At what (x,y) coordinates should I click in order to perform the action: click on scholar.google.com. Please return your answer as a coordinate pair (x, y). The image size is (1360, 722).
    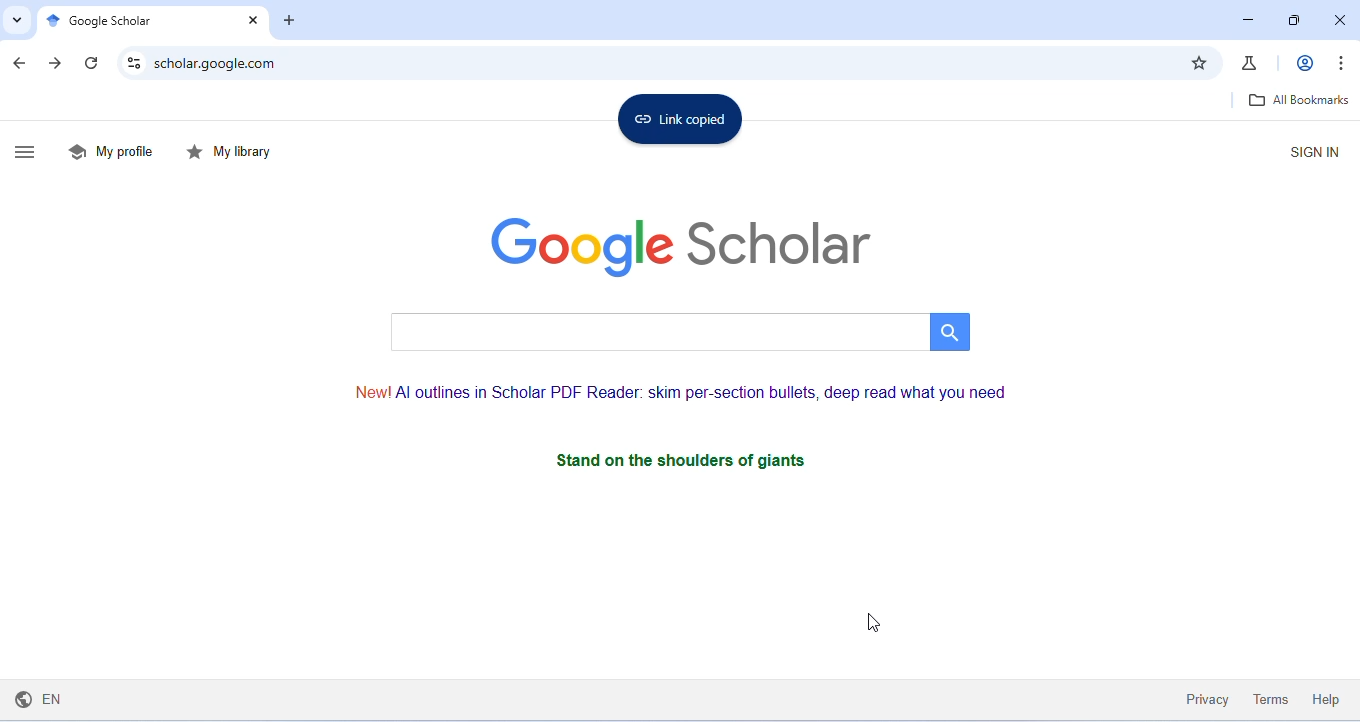
    Looking at the image, I should click on (220, 65).